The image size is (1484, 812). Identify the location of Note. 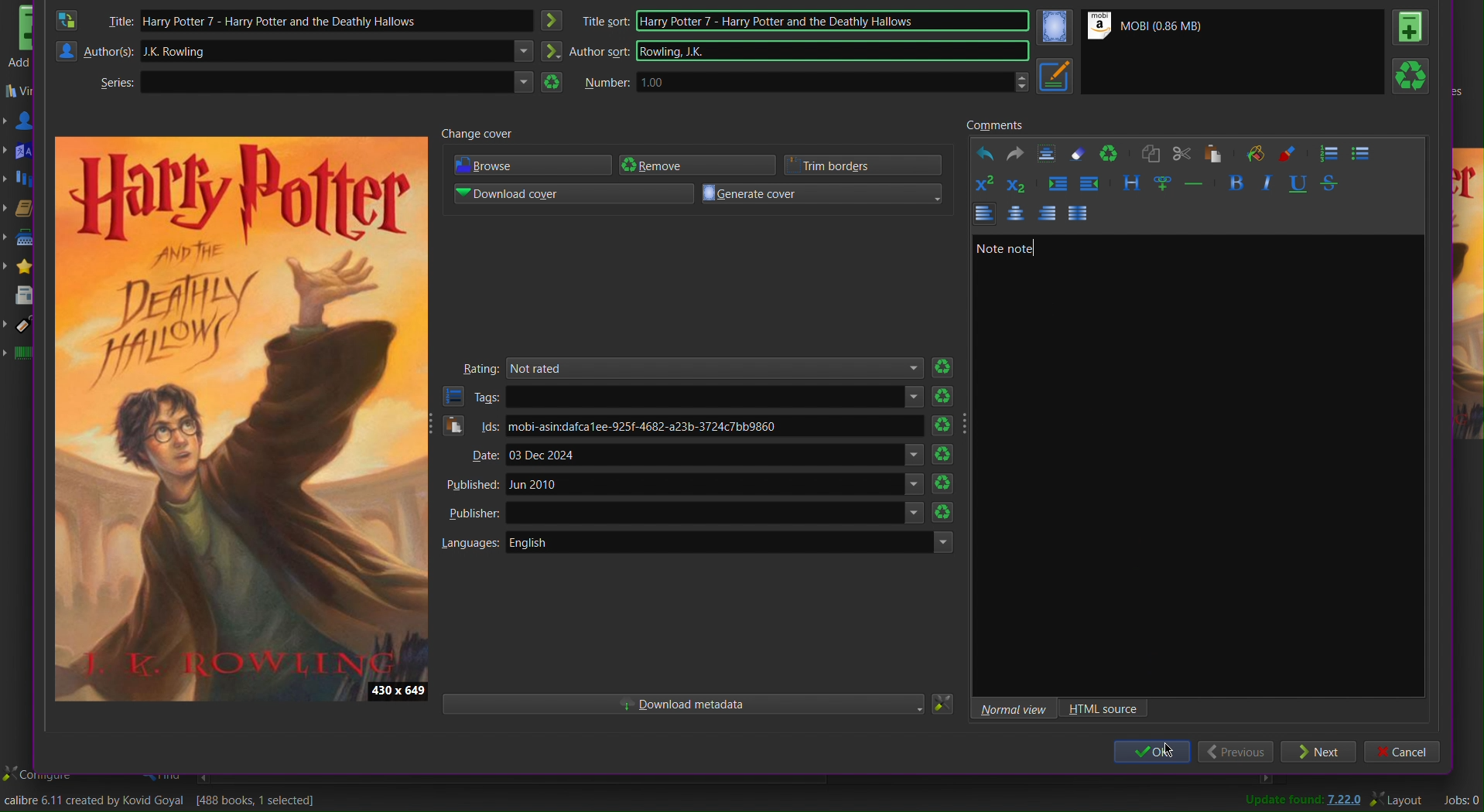
(1014, 247).